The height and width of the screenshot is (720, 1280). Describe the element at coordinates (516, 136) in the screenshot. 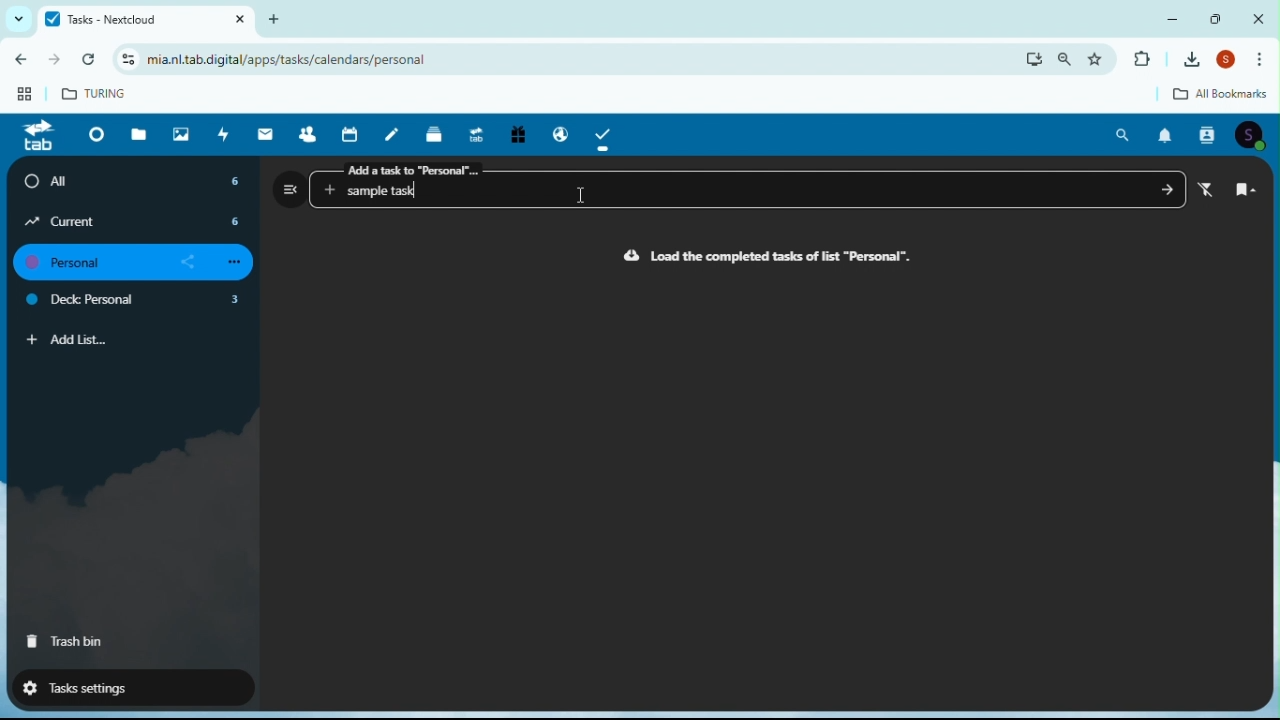

I see `Free trial` at that location.